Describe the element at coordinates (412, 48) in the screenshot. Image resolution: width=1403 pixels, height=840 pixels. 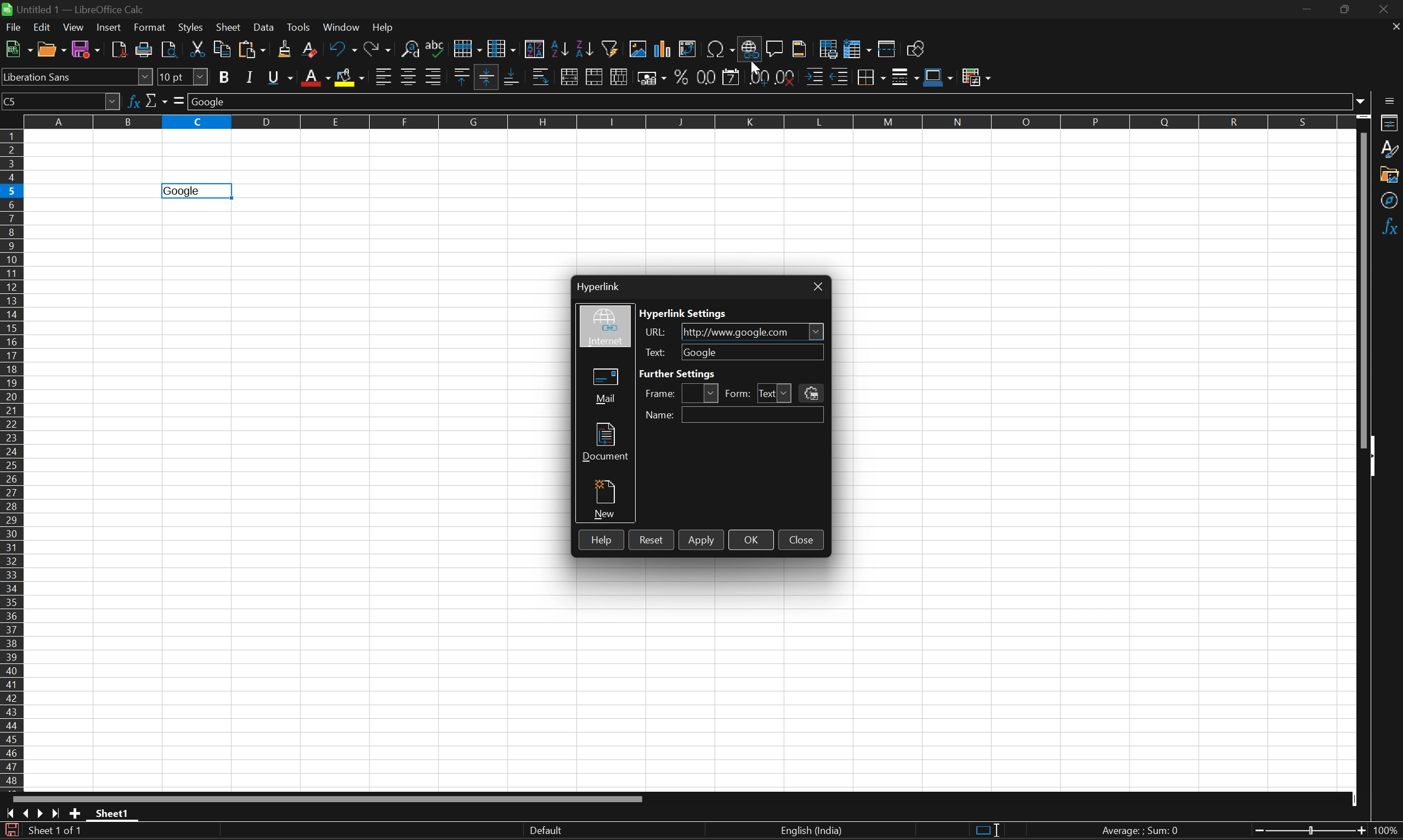
I see `Find and replace` at that location.